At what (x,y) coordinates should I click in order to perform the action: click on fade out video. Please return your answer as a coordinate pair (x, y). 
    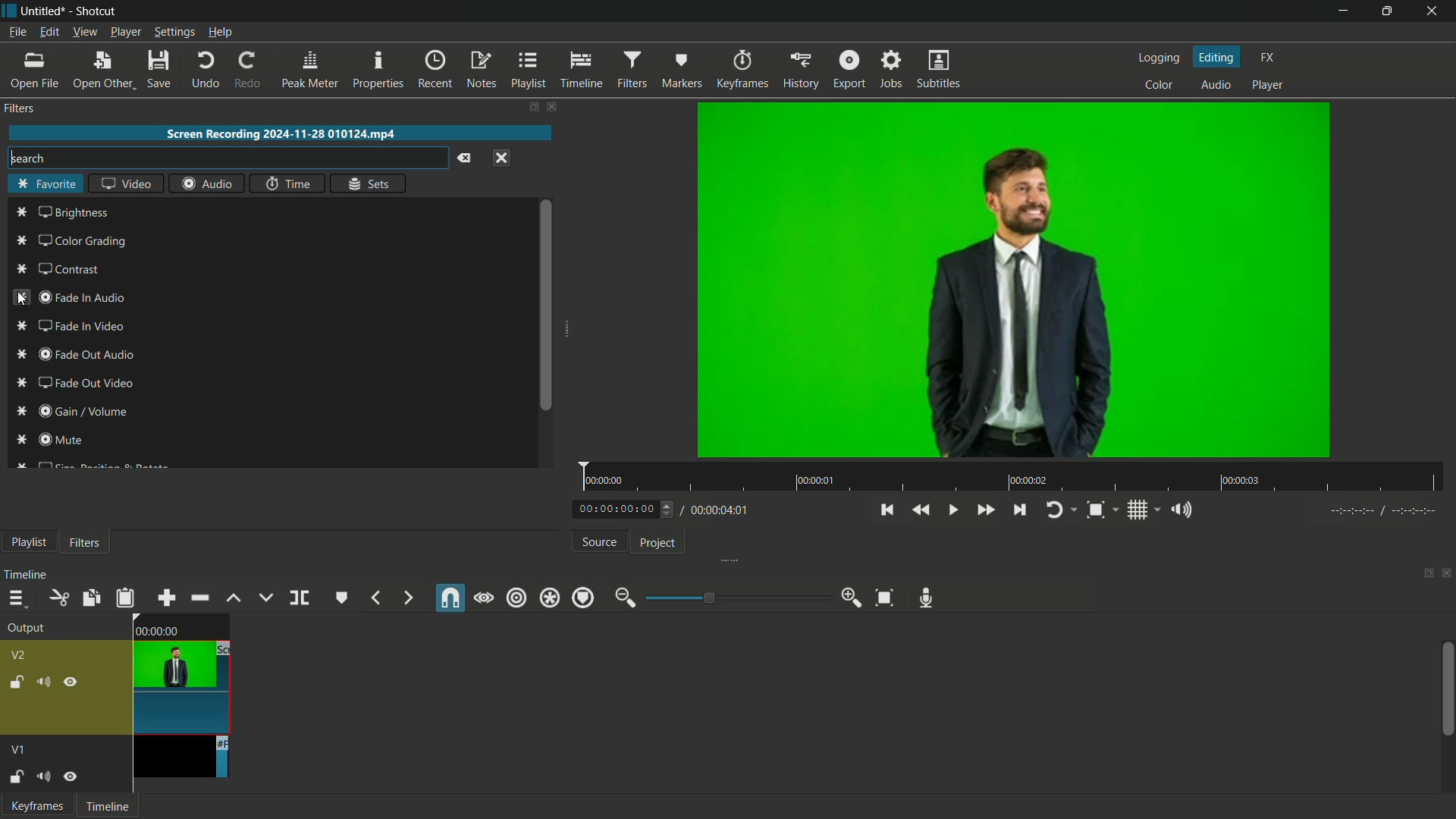
    Looking at the image, I should click on (75, 383).